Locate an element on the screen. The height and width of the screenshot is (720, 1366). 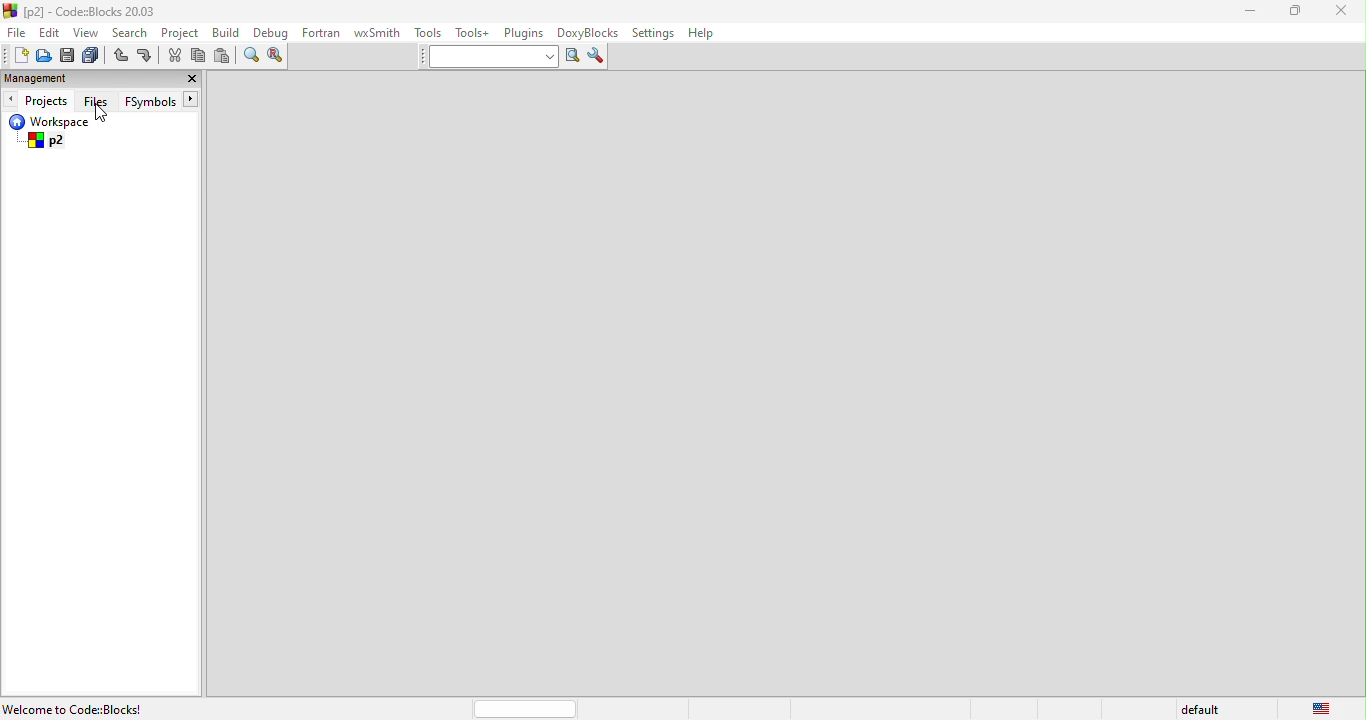
debug is located at coordinates (271, 34).